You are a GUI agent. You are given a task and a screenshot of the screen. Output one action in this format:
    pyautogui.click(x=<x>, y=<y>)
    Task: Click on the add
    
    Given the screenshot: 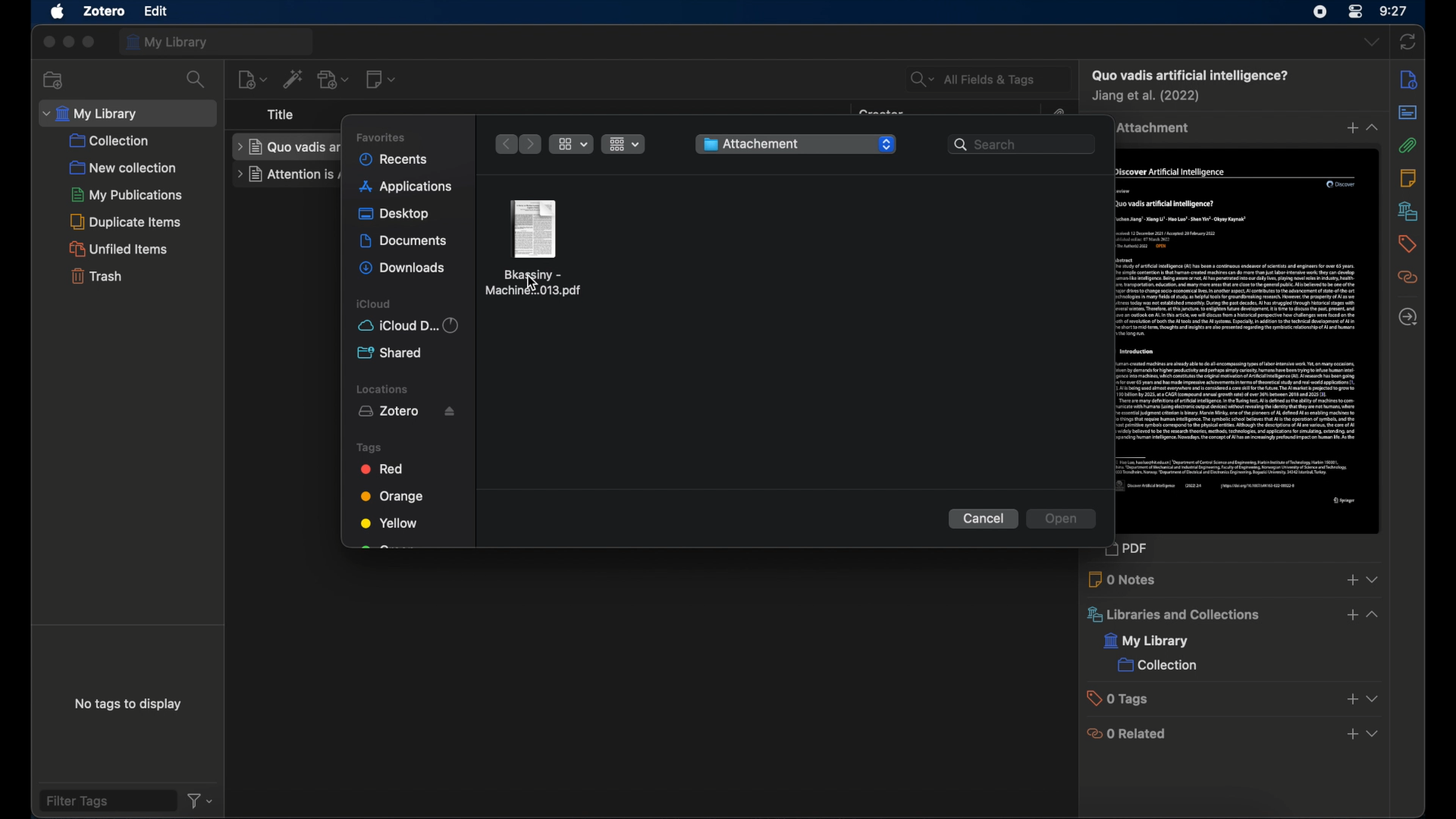 What is the action you would take?
    pyautogui.click(x=1351, y=735)
    